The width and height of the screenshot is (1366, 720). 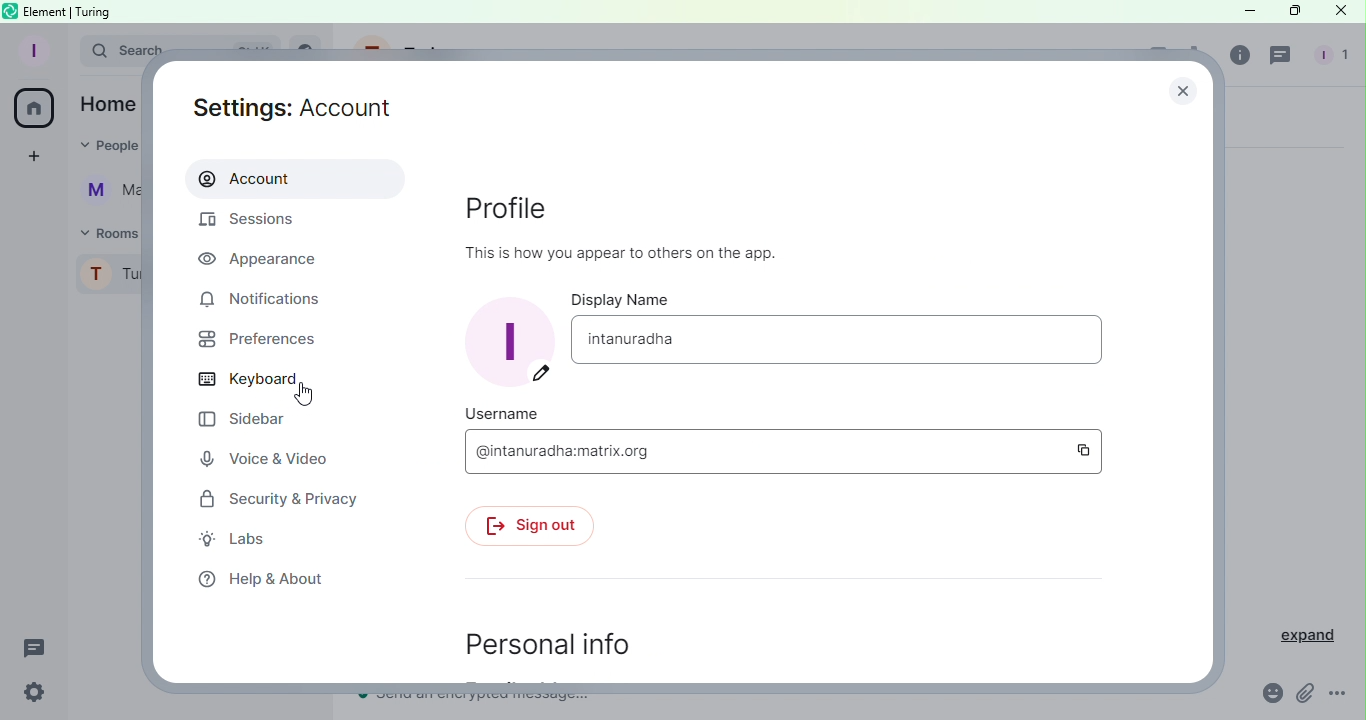 I want to click on Display name, so click(x=636, y=299).